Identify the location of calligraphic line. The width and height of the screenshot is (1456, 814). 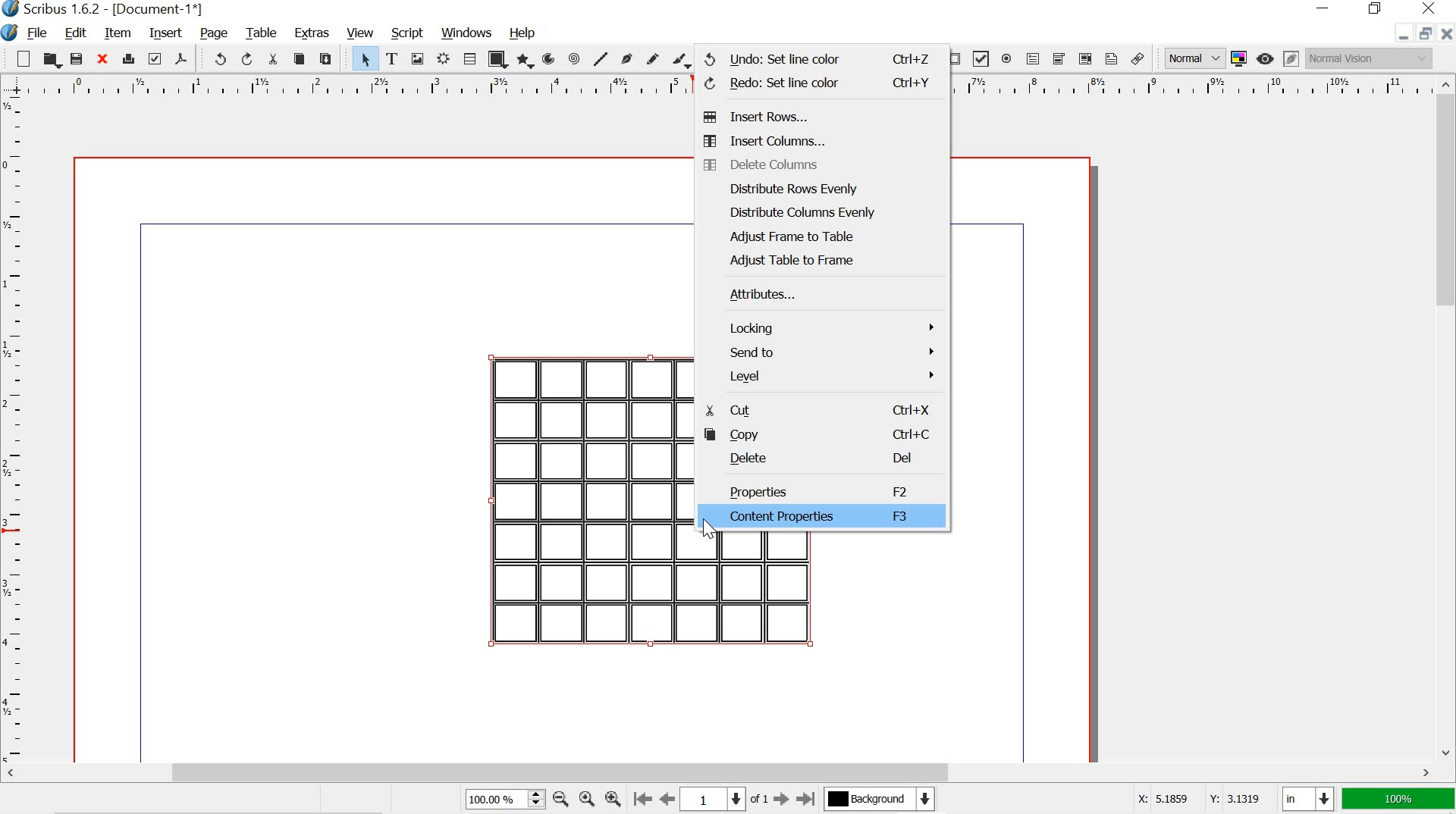
(679, 59).